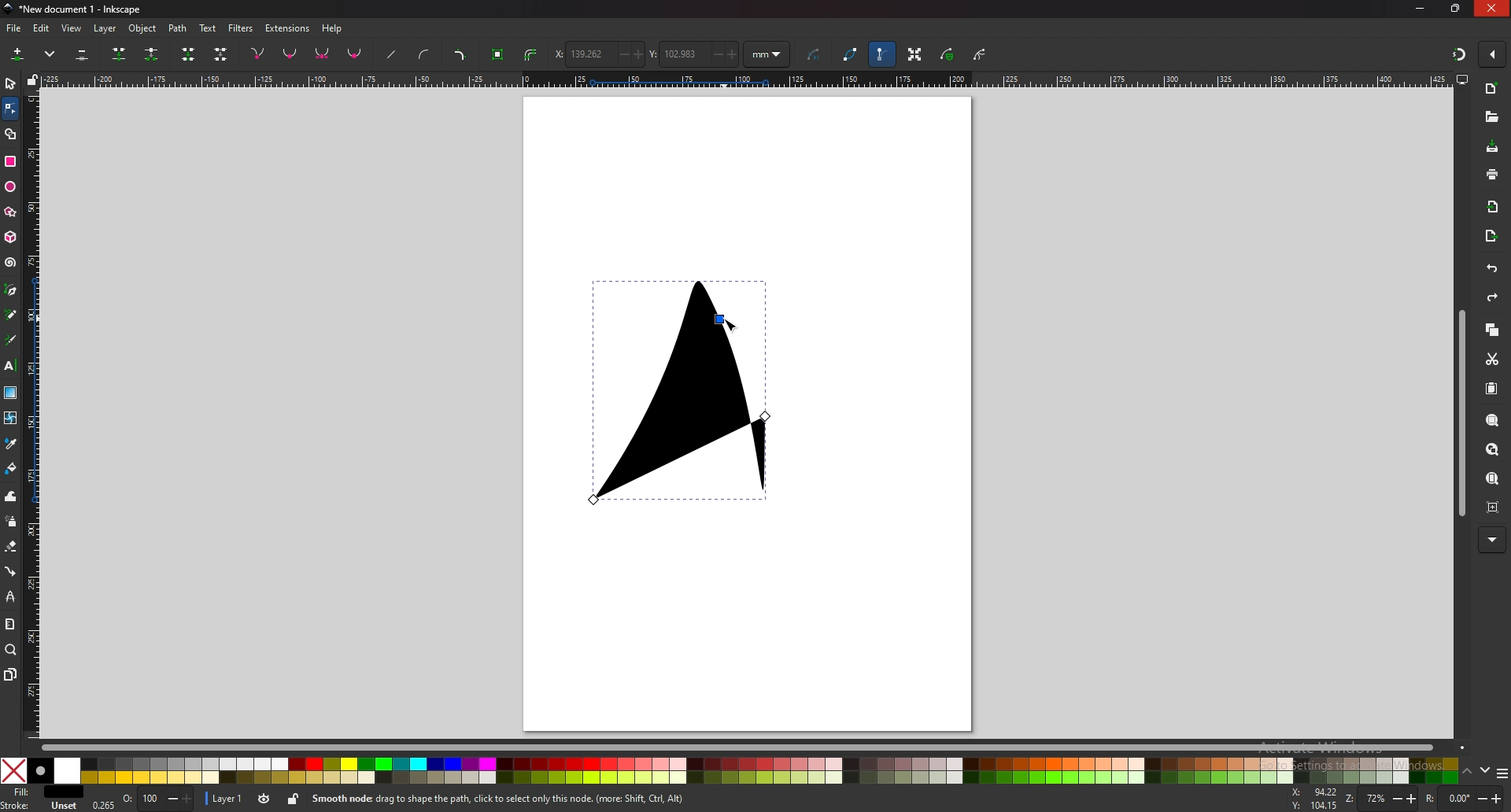 Image resolution: width=1511 pixels, height=812 pixels. I want to click on straighten lines, so click(393, 54).